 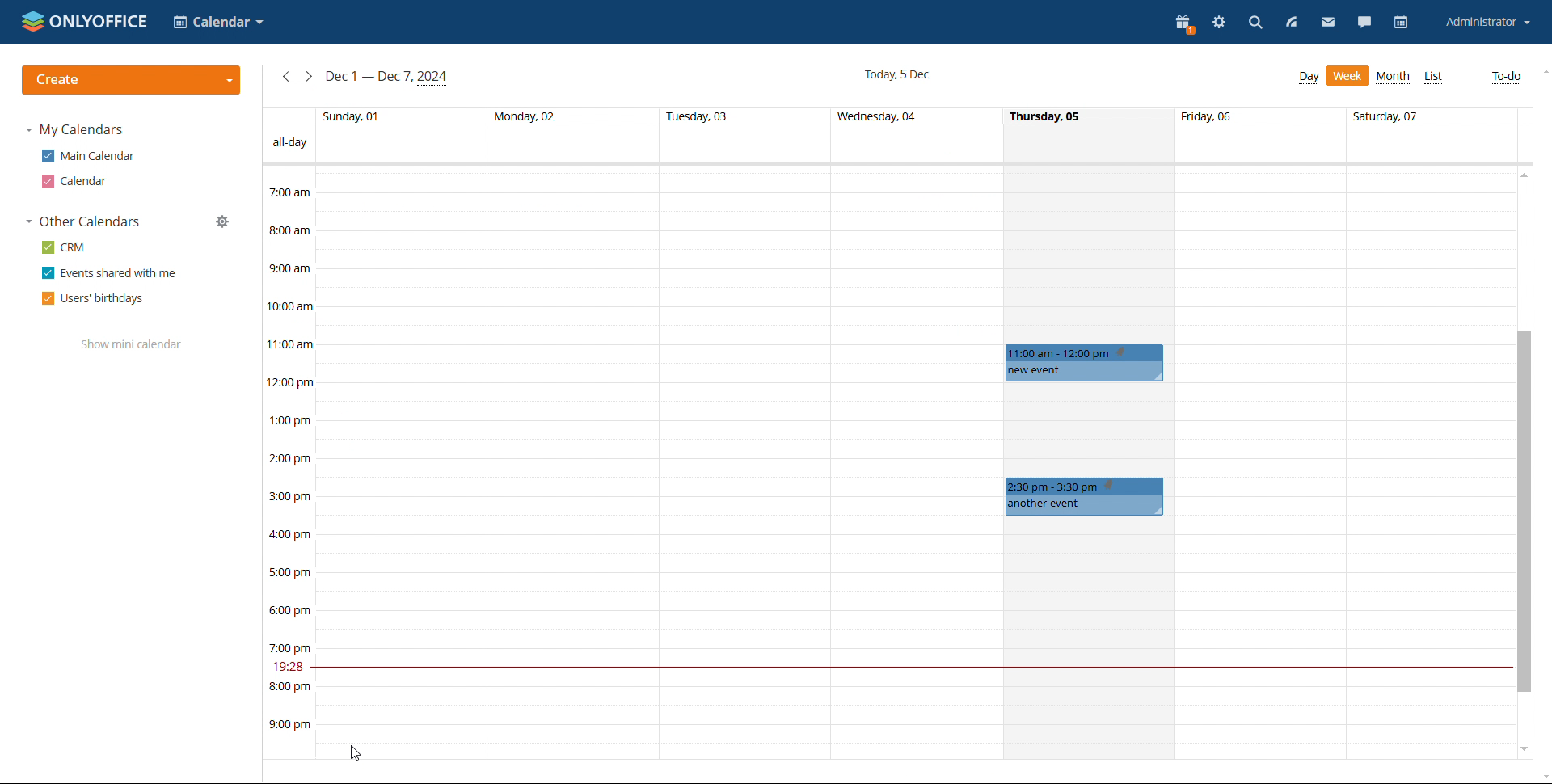 What do you see at coordinates (285, 143) in the screenshot?
I see `all-day` at bounding box center [285, 143].